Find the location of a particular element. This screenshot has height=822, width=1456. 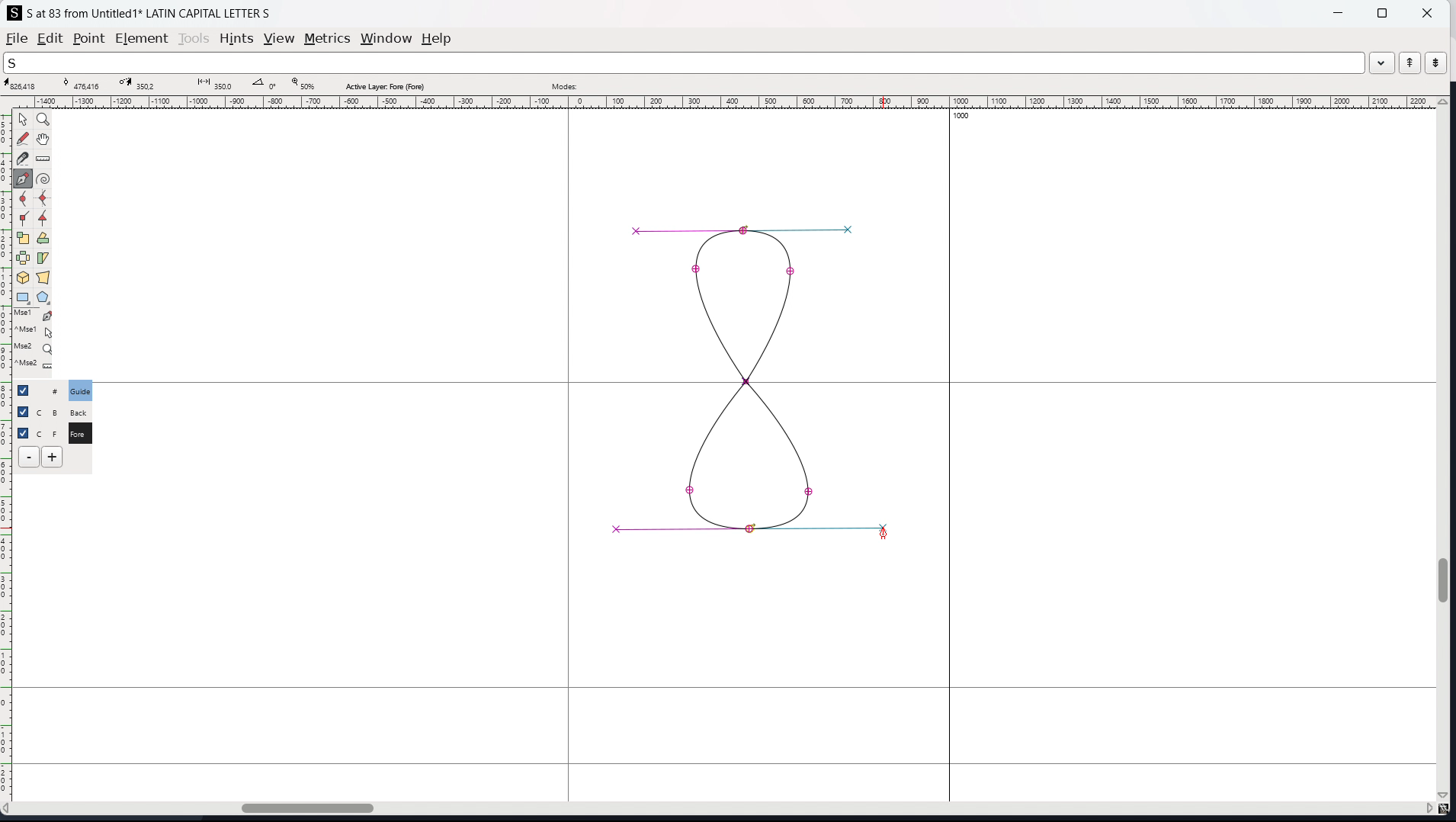

metrics is located at coordinates (327, 38).